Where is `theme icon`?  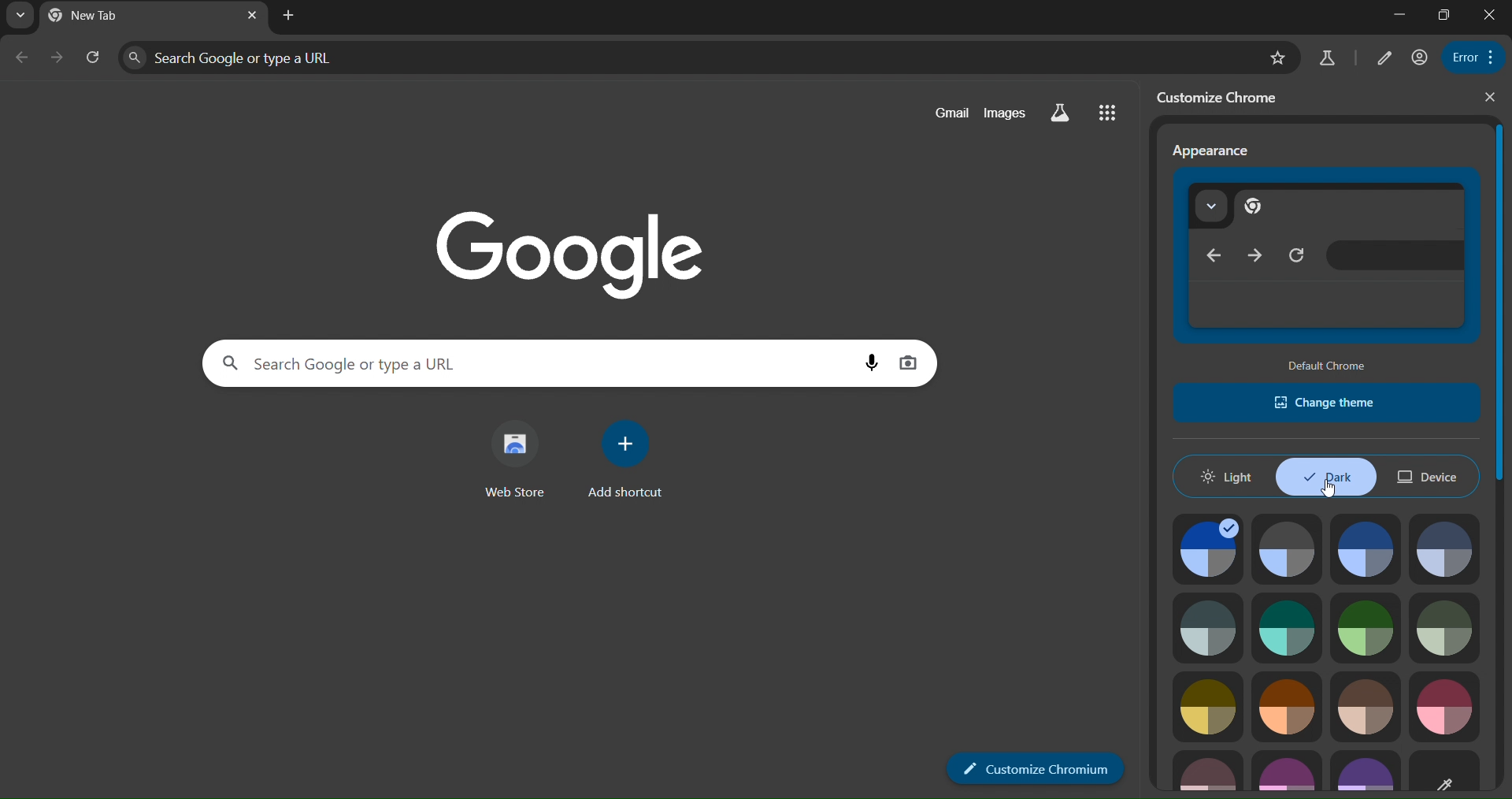 theme icon is located at coordinates (1287, 626).